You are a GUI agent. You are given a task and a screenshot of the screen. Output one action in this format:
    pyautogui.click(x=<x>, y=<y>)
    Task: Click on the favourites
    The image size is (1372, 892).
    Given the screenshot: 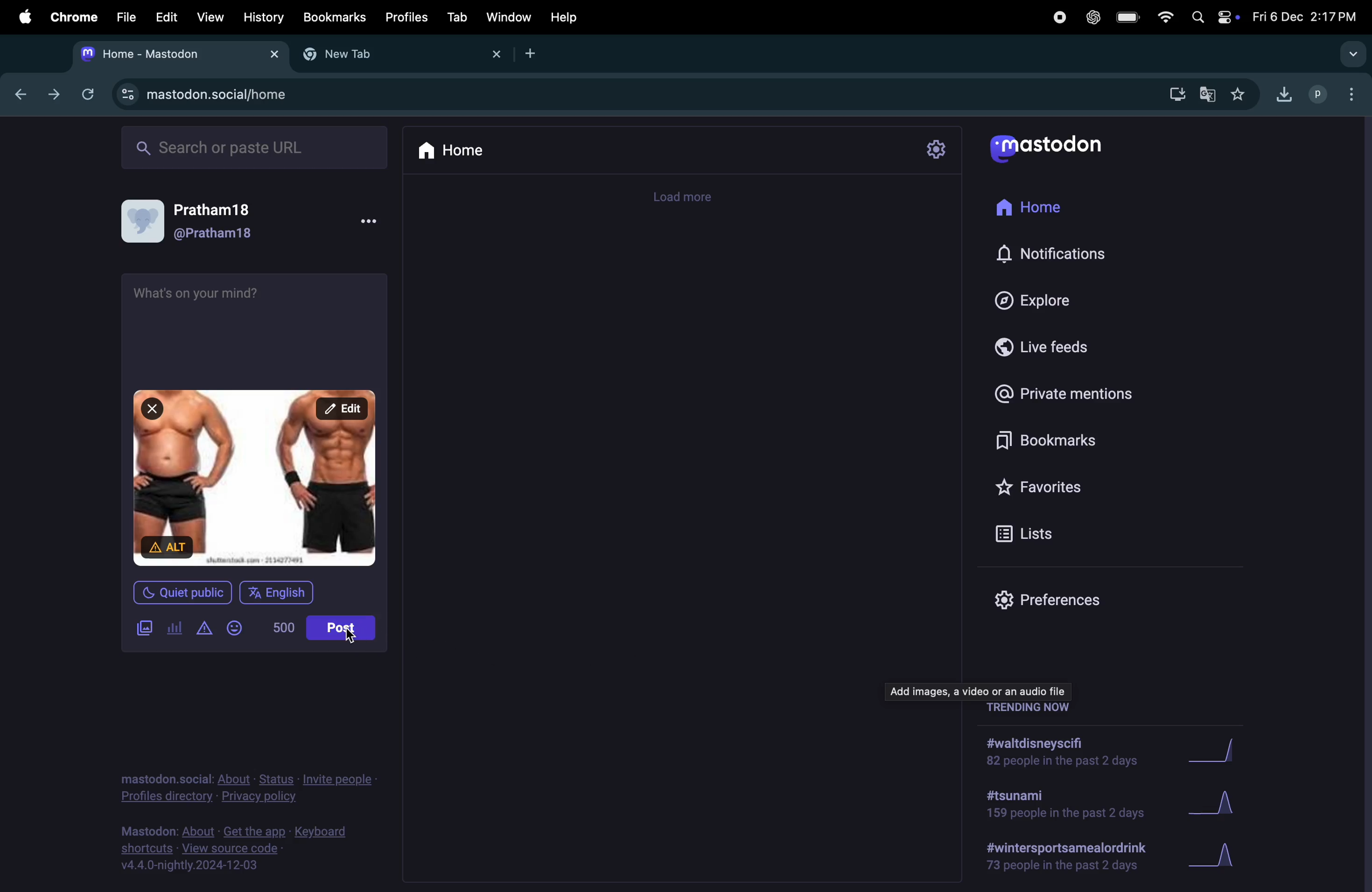 What is the action you would take?
    pyautogui.click(x=1043, y=489)
    